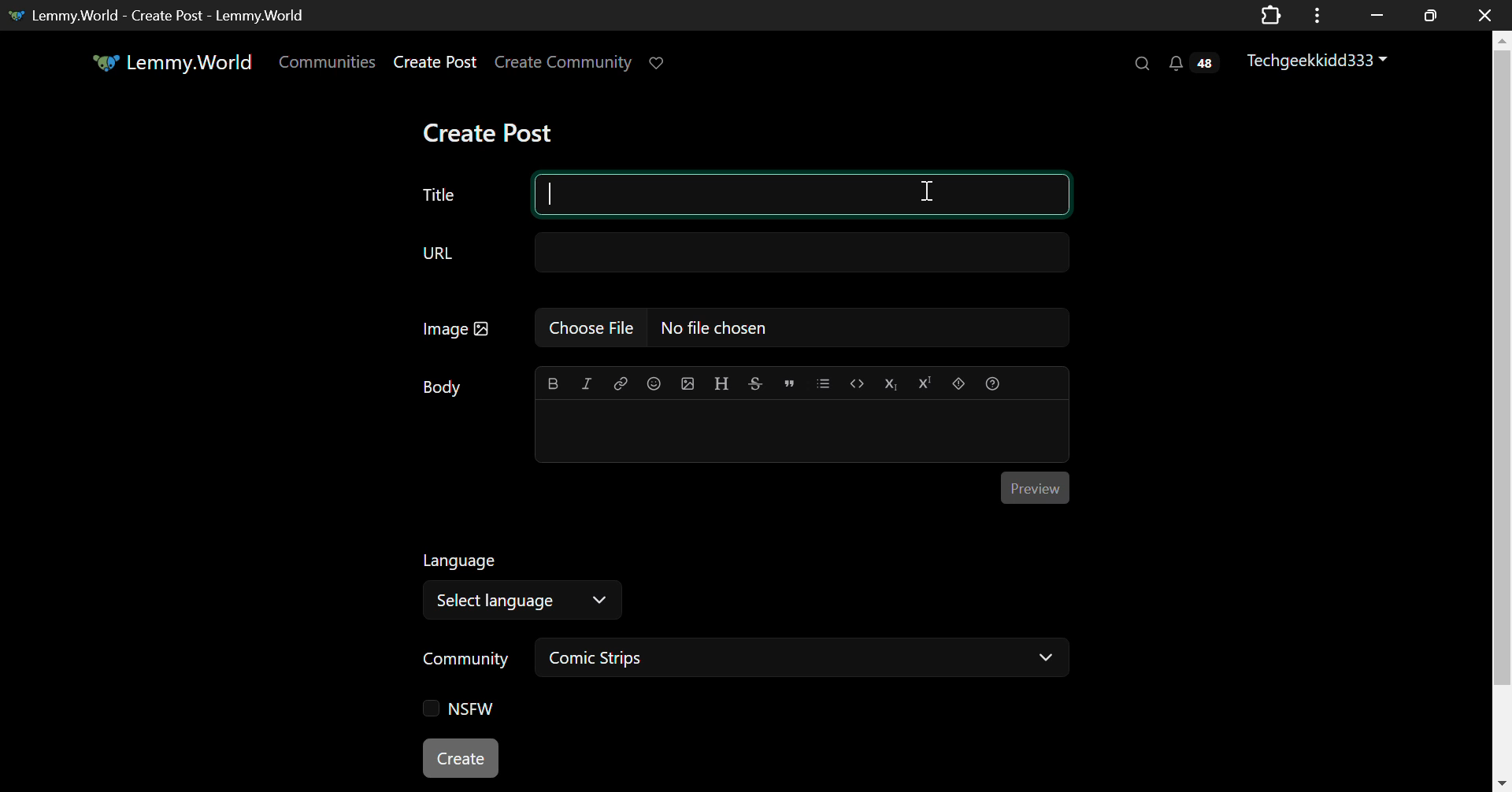 The height and width of the screenshot is (792, 1512). Describe the element at coordinates (521, 601) in the screenshot. I see `Select Language` at that location.